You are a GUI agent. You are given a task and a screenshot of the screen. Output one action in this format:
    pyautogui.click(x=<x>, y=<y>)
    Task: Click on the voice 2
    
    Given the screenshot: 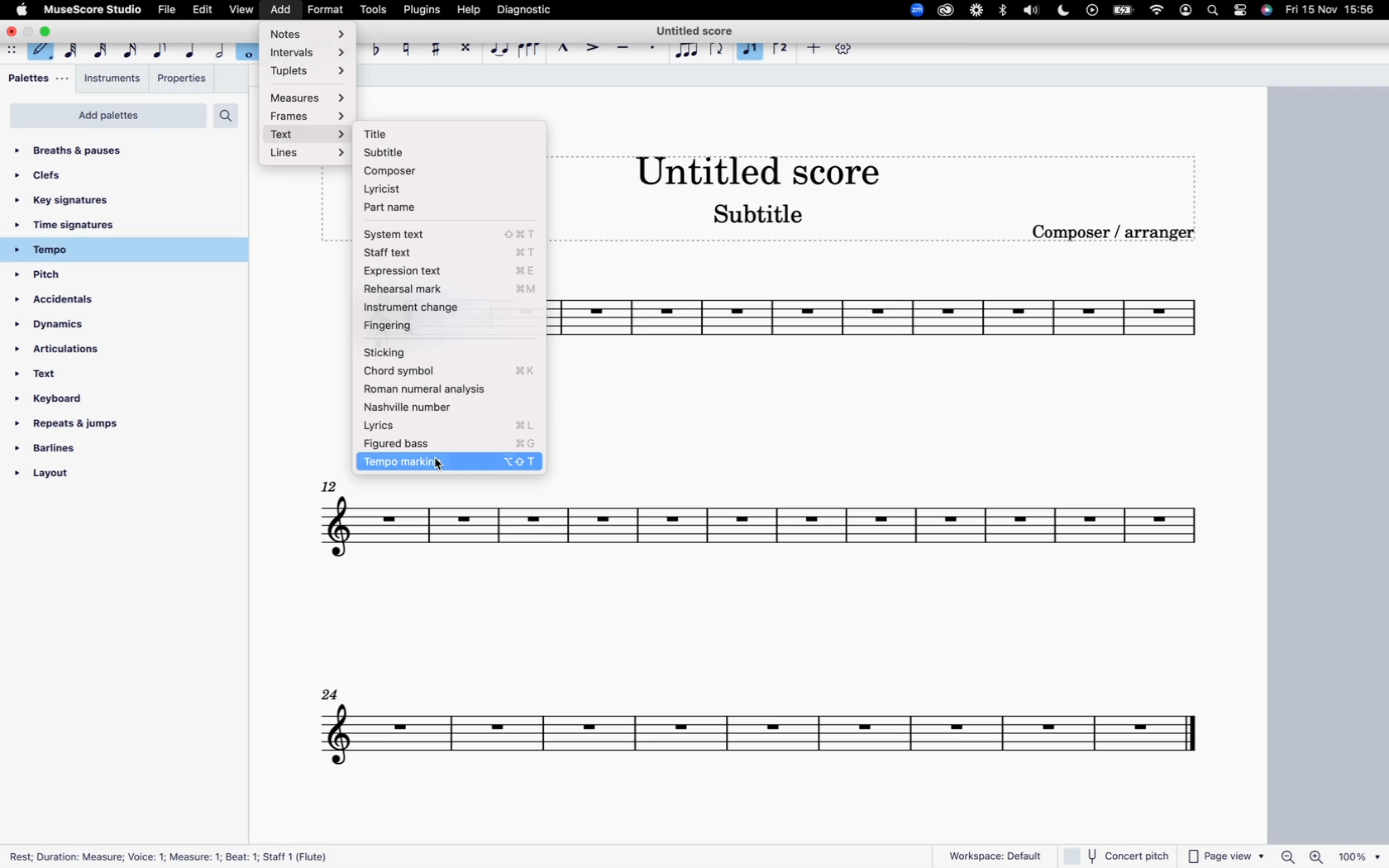 What is the action you would take?
    pyautogui.click(x=751, y=50)
    